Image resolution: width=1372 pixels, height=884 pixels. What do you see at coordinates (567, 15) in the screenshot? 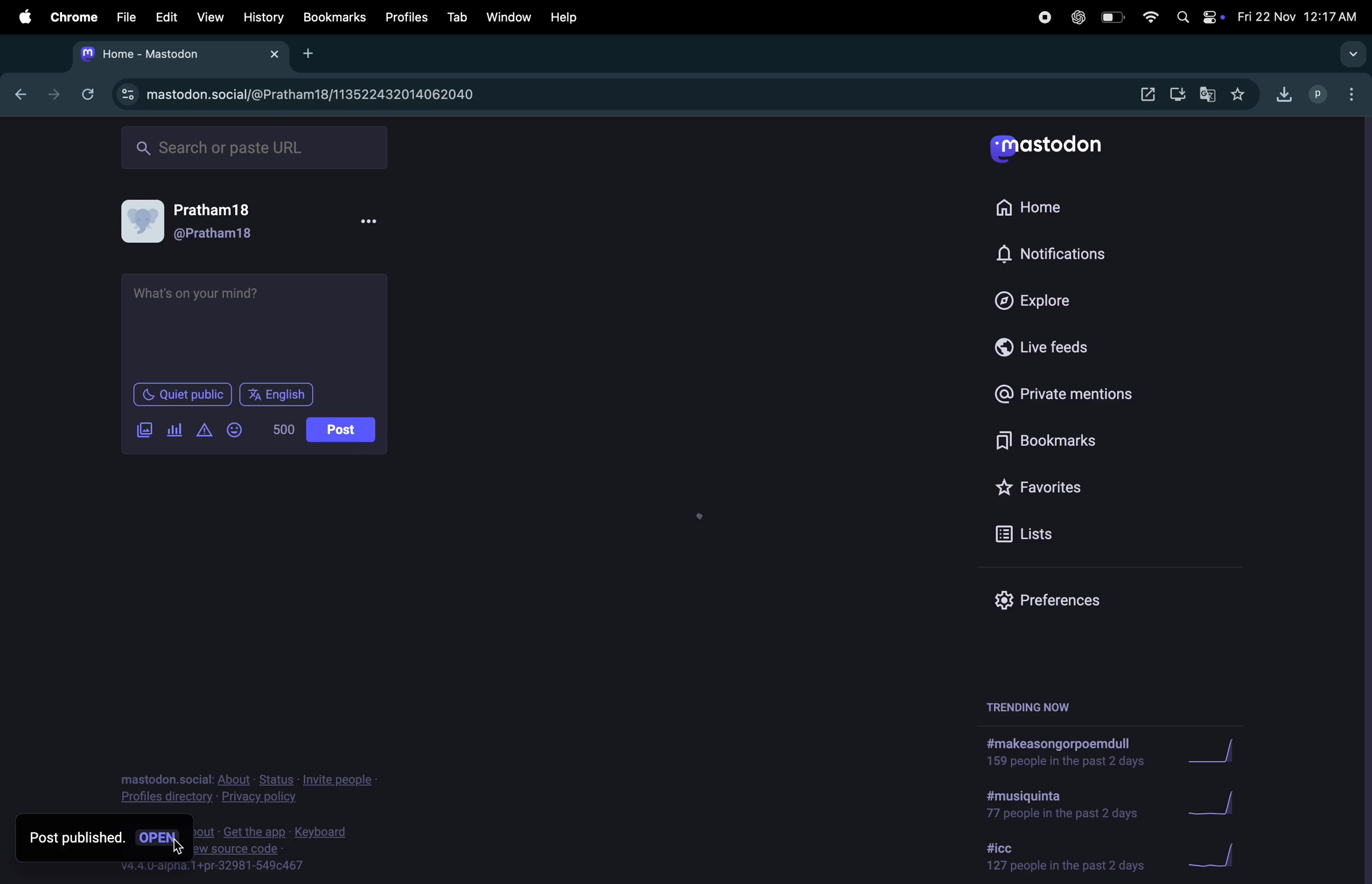
I see `help` at bounding box center [567, 15].